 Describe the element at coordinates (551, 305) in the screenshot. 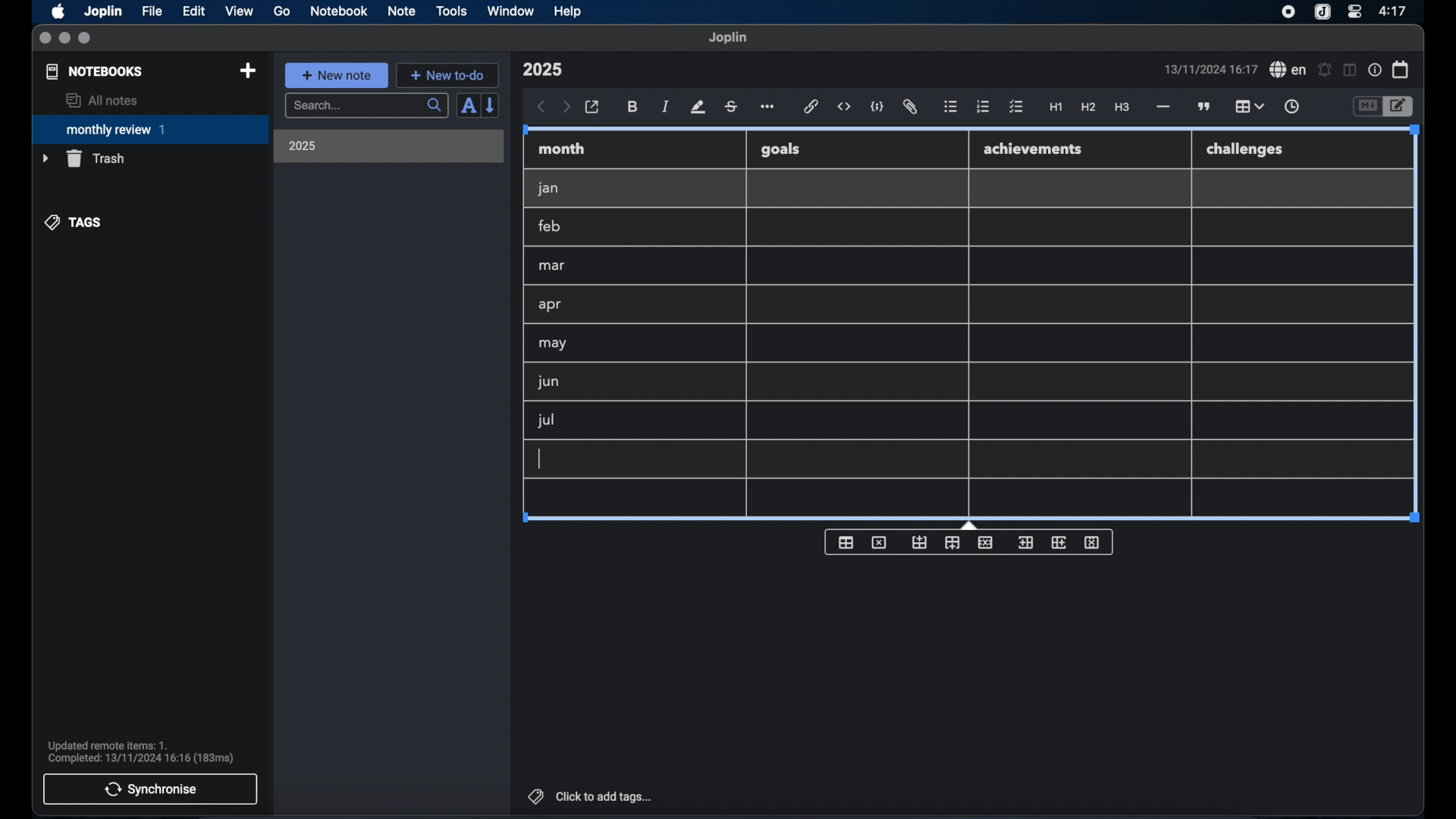

I see `apr` at that location.